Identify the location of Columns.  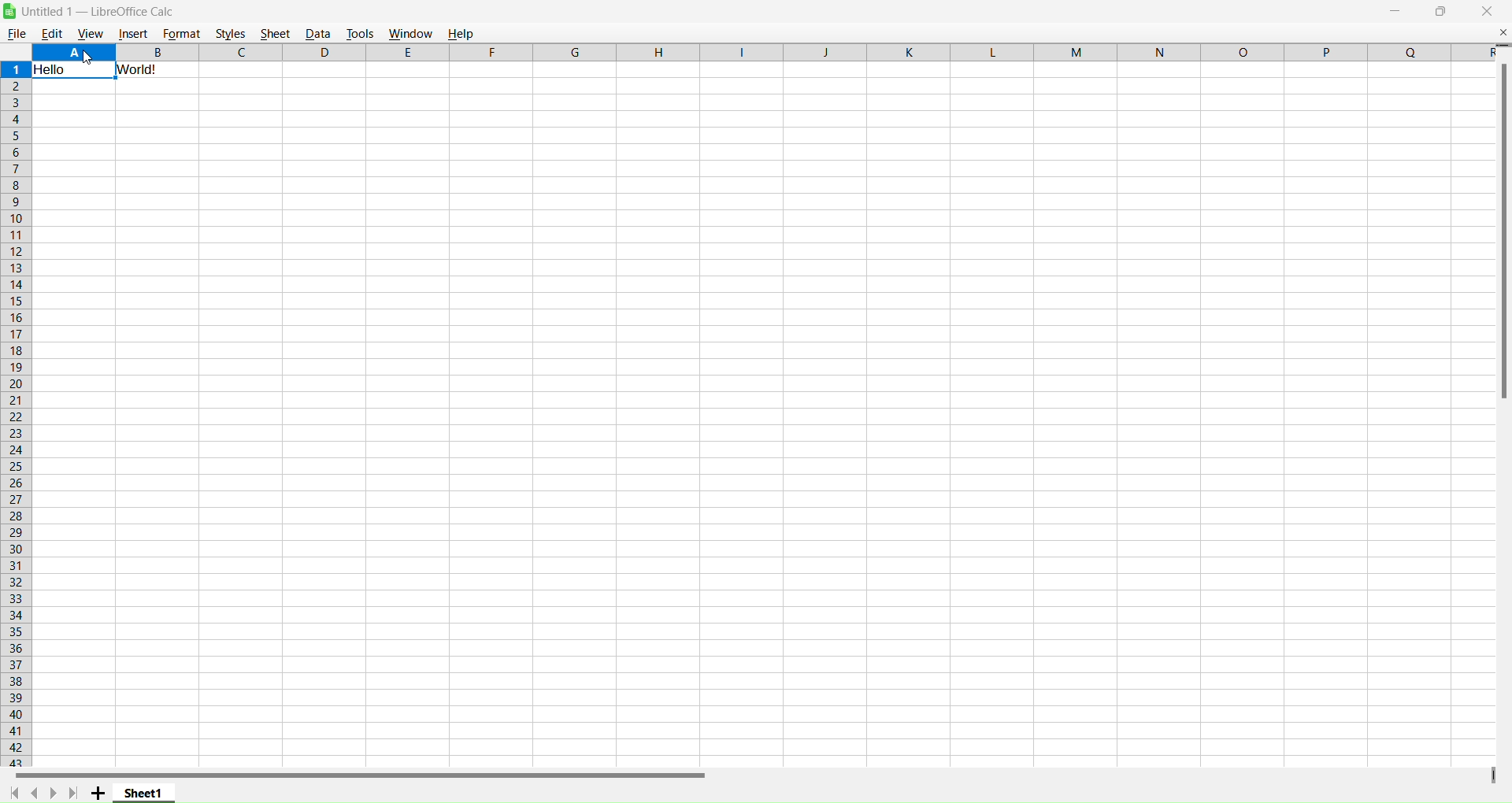
(759, 52).